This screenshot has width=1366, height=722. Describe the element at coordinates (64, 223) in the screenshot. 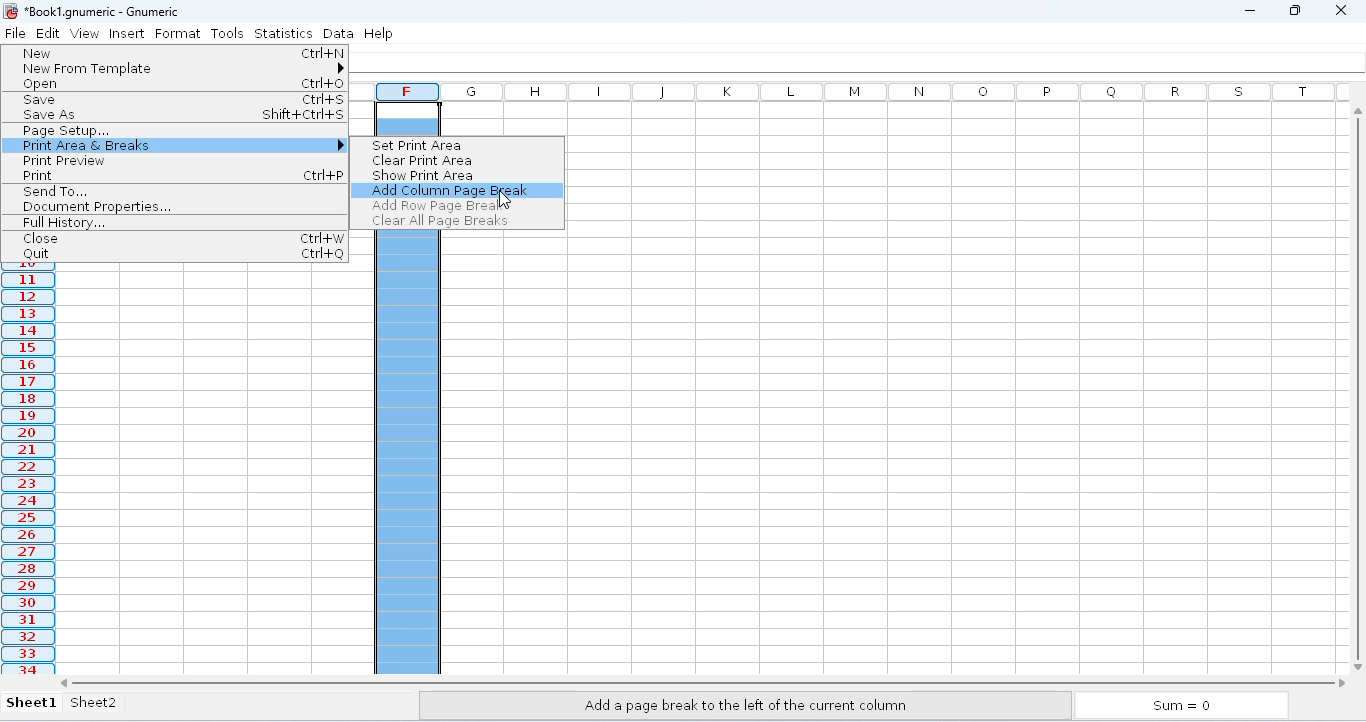

I see `full history` at that location.